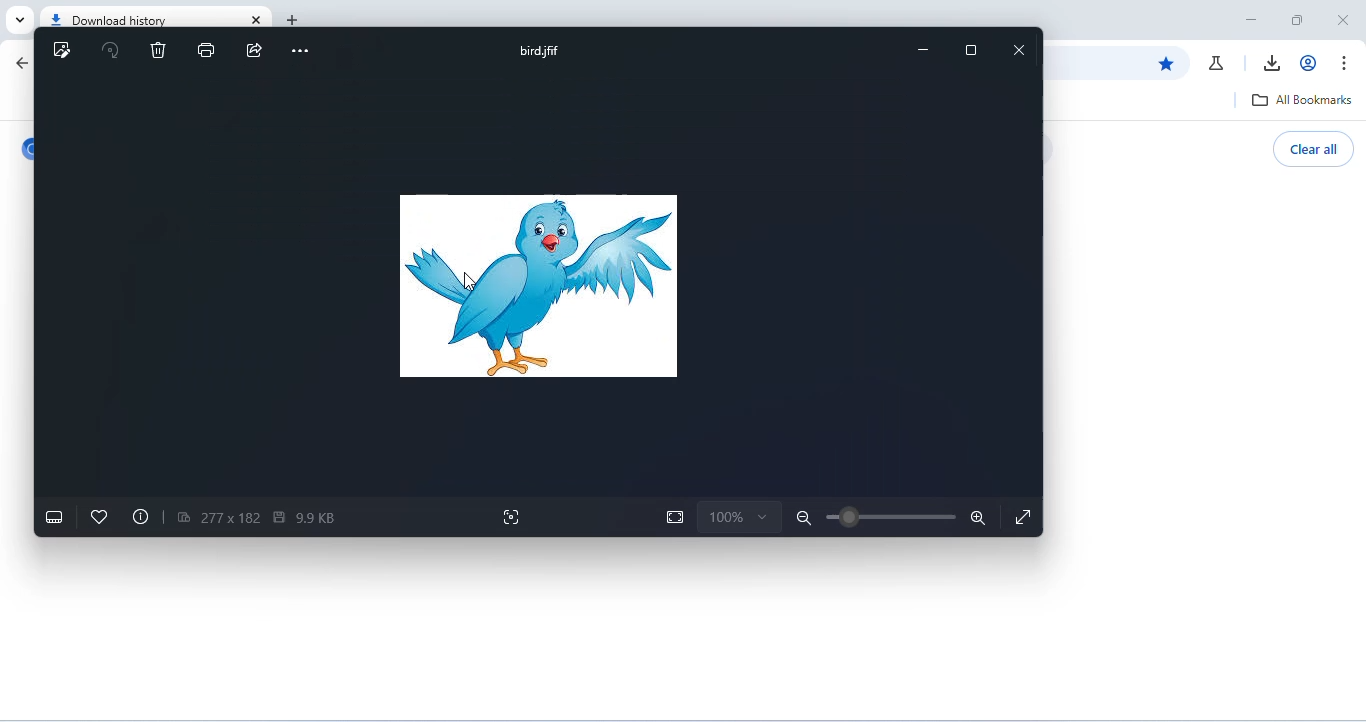  I want to click on visual search with bing, so click(514, 518).